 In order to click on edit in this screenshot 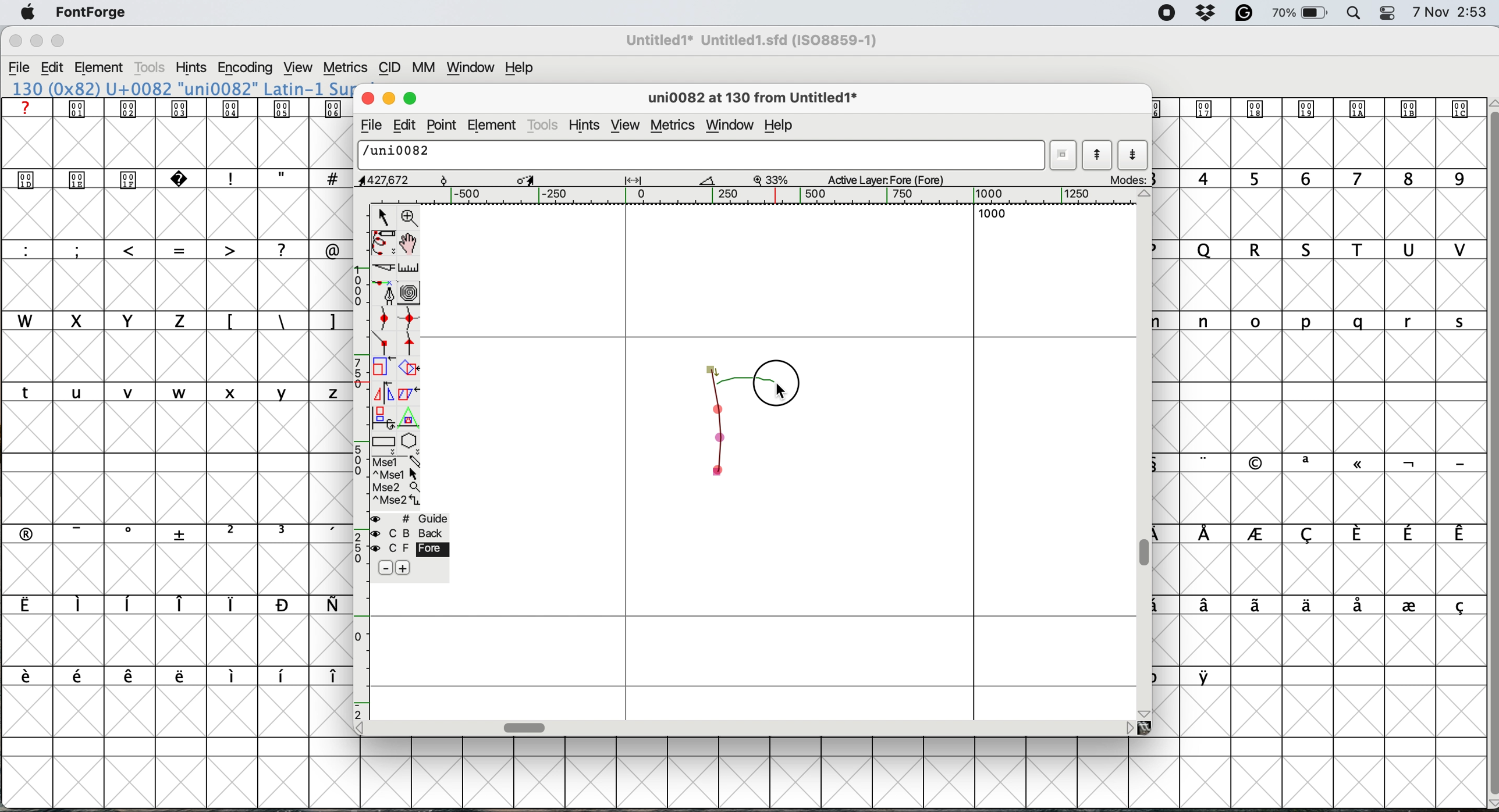, I will do `click(407, 125)`.